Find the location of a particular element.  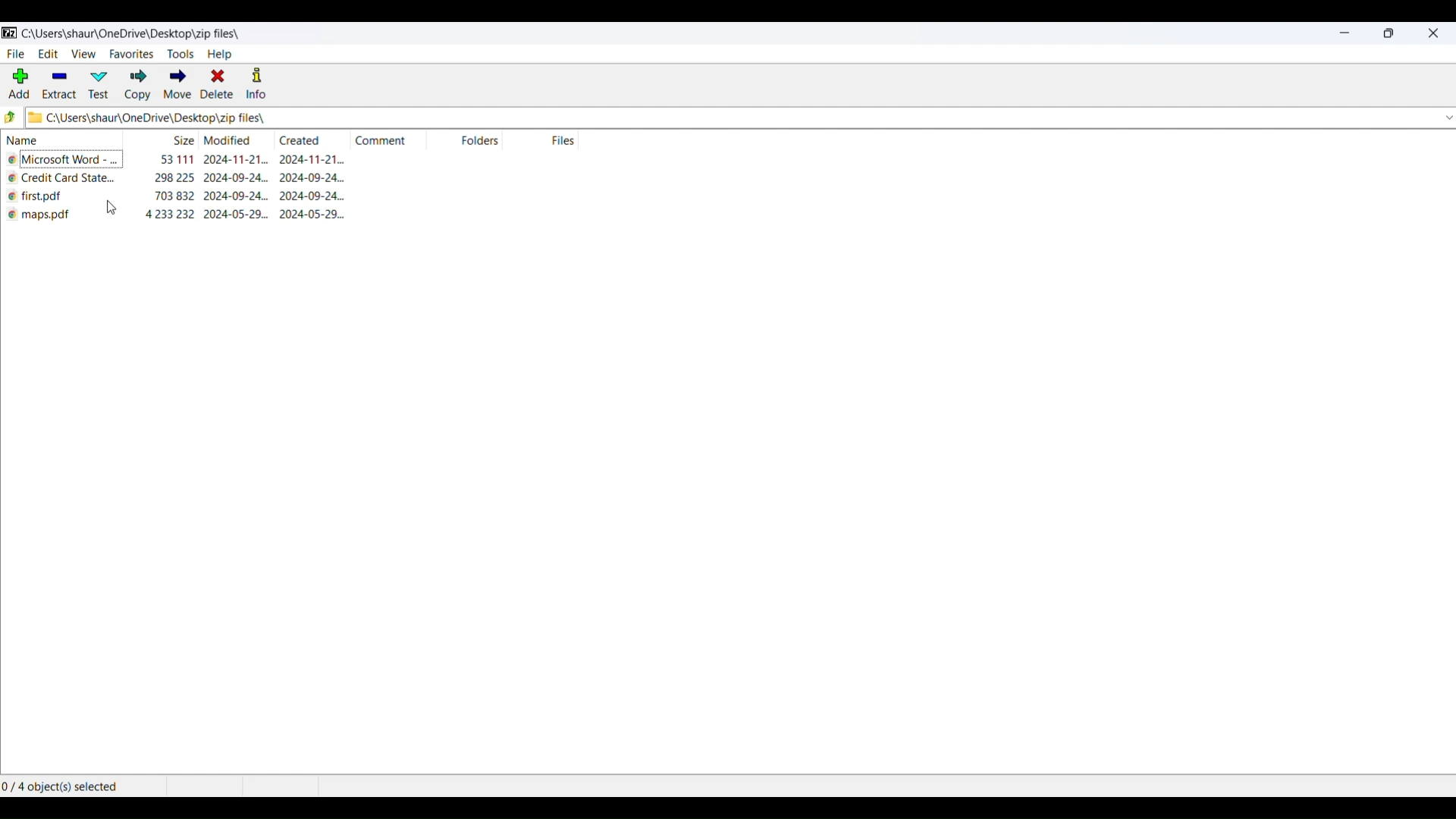

delete is located at coordinates (215, 86).